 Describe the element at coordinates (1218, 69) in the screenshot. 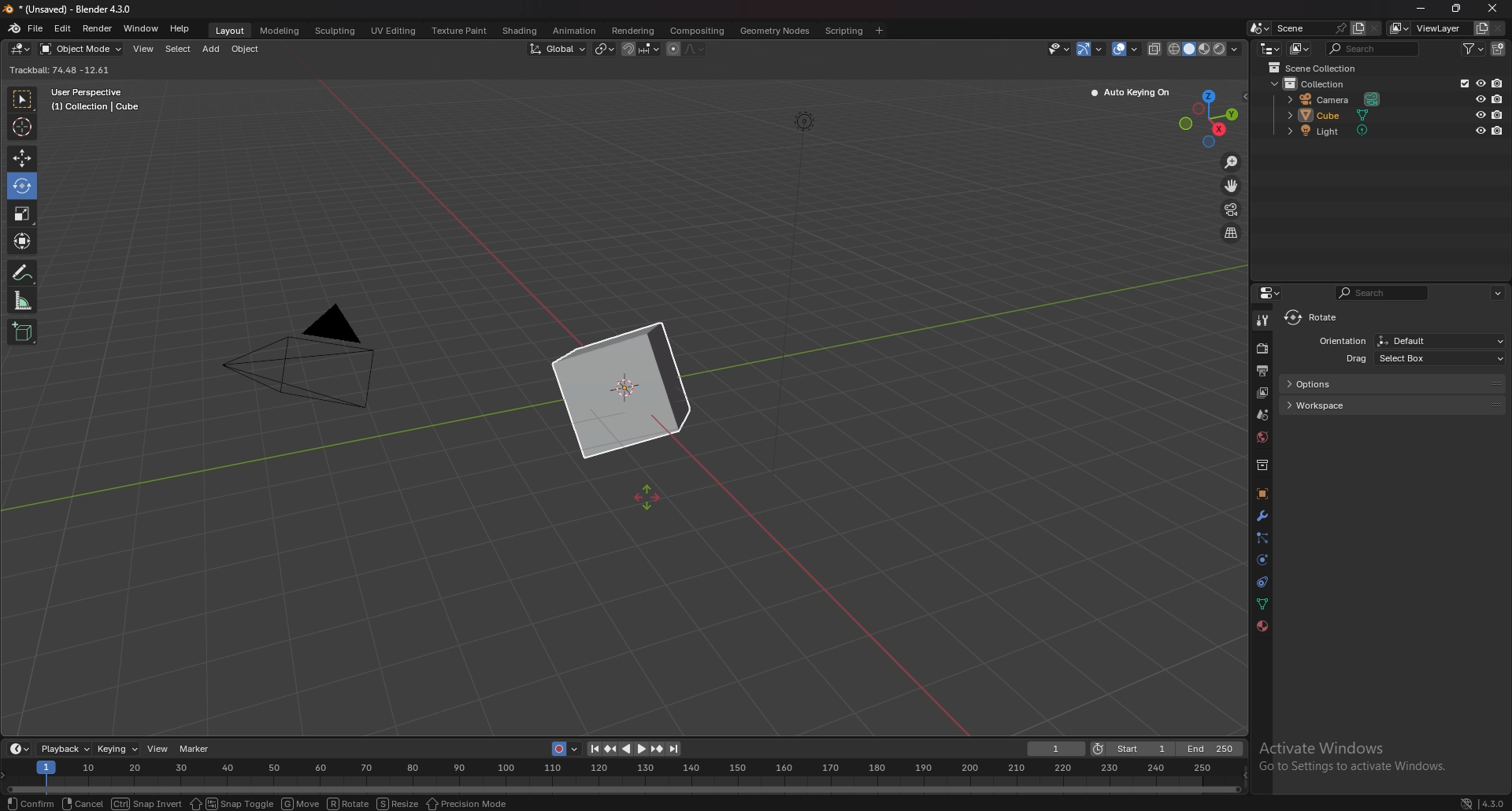

I see `options` at that location.